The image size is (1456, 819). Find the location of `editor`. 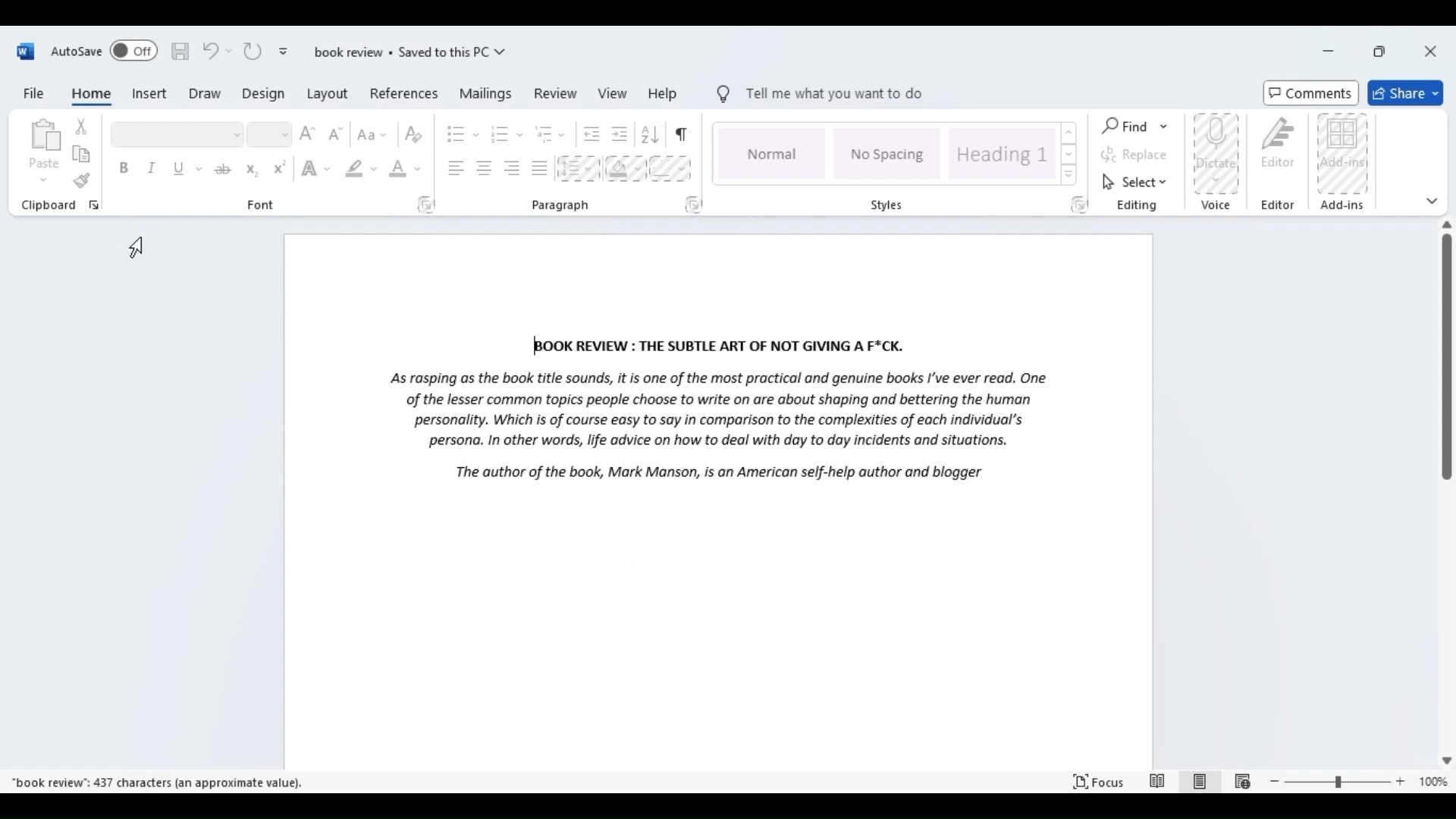

editor is located at coordinates (1283, 163).